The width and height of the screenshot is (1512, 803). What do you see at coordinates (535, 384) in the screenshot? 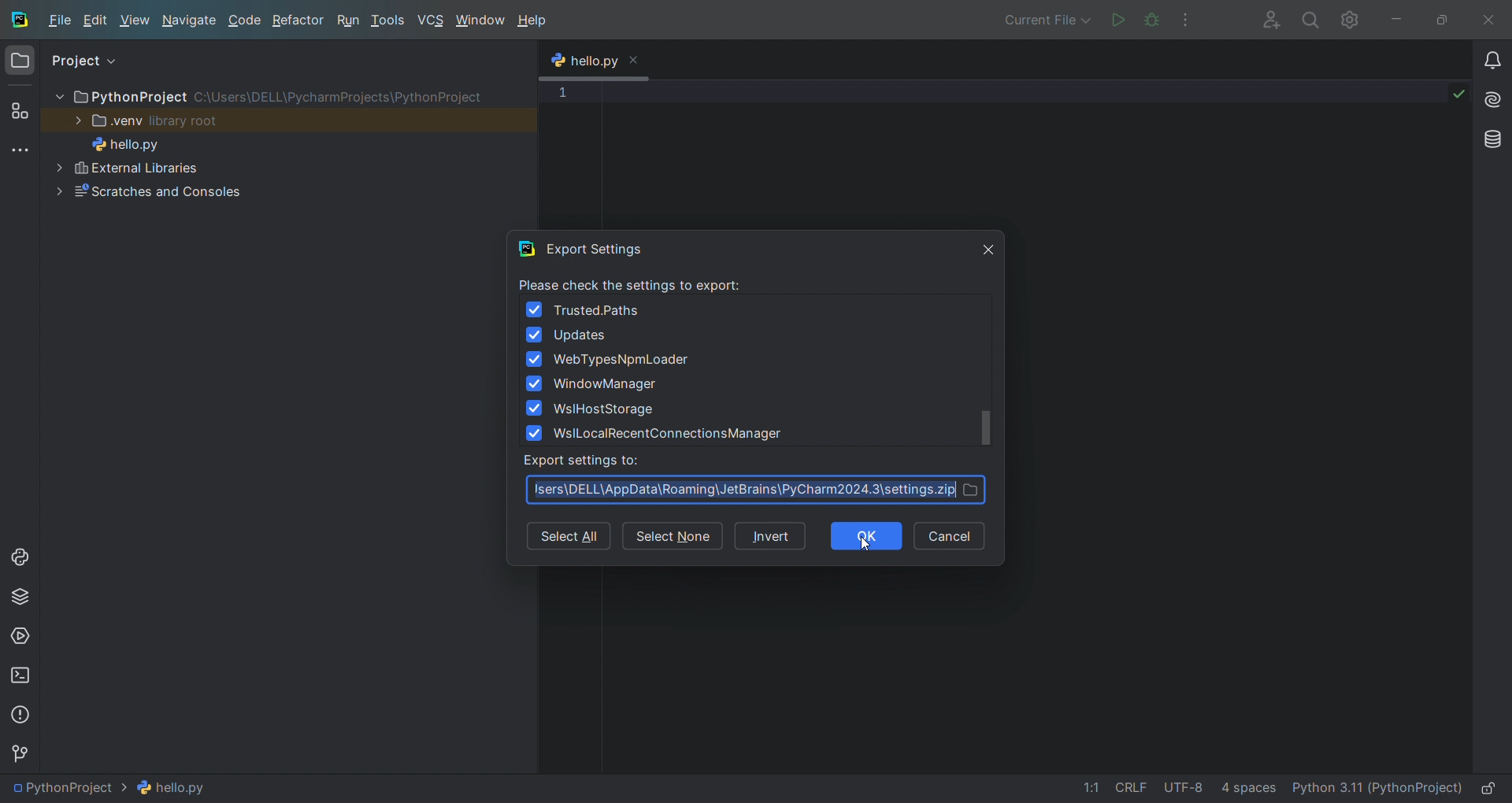
I see `Checked box` at bounding box center [535, 384].